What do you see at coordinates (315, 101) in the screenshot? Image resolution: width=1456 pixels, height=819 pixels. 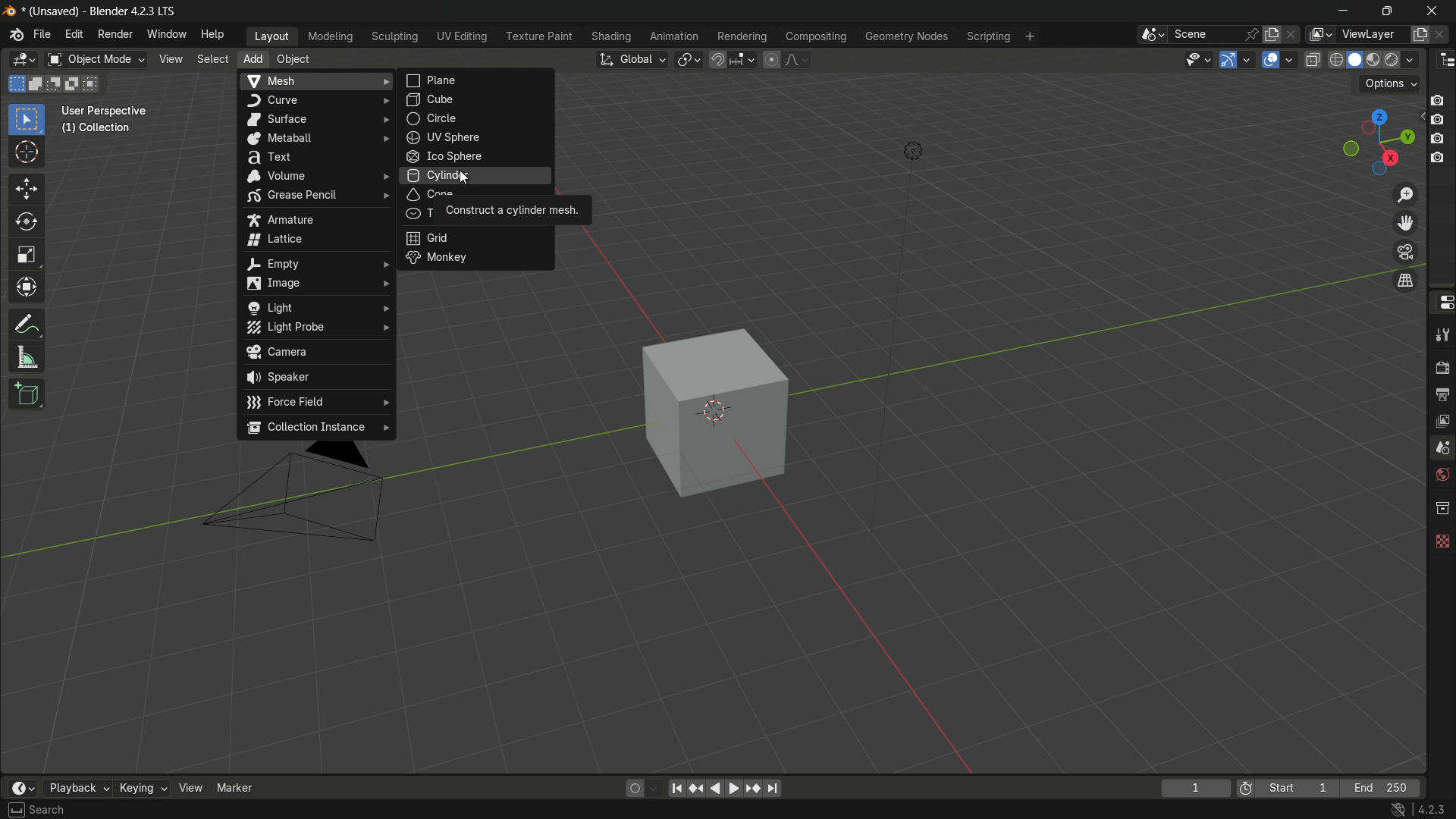 I see `curve` at bounding box center [315, 101].